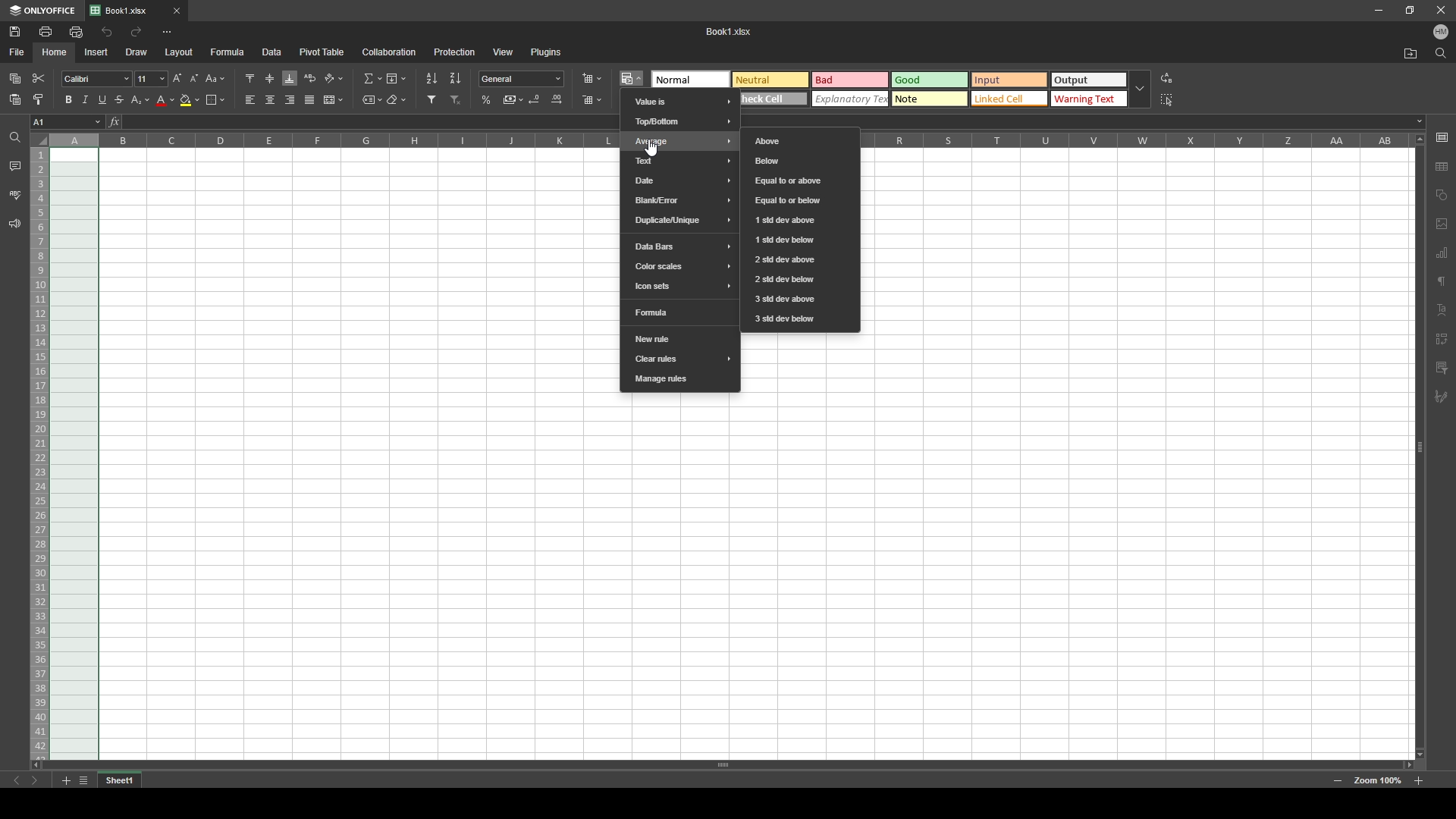  What do you see at coordinates (334, 79) in the screenshot?
I see `orientation` at bounding box center [334, 79].